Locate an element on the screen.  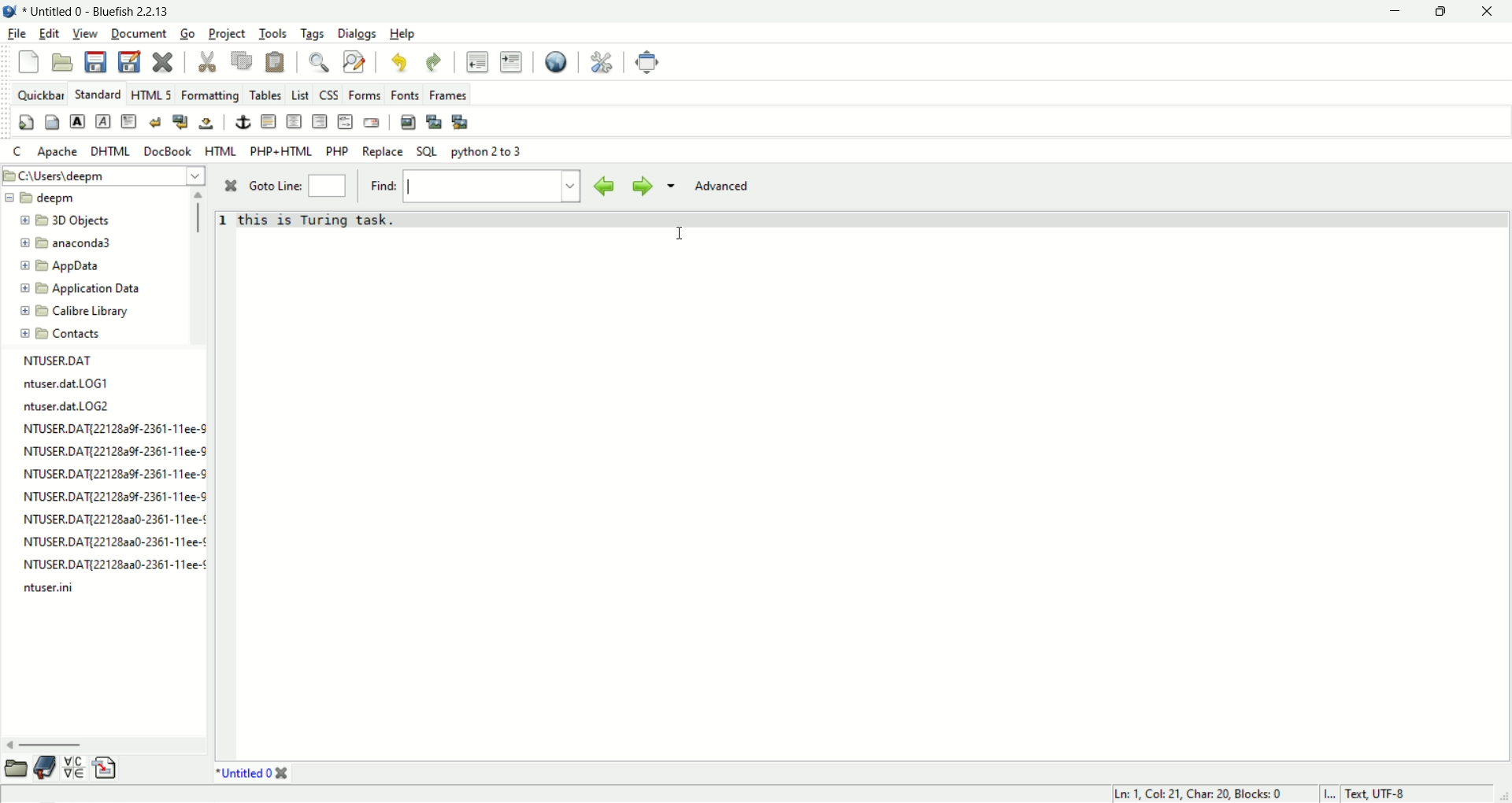
close is located at coordinates (234, 187).